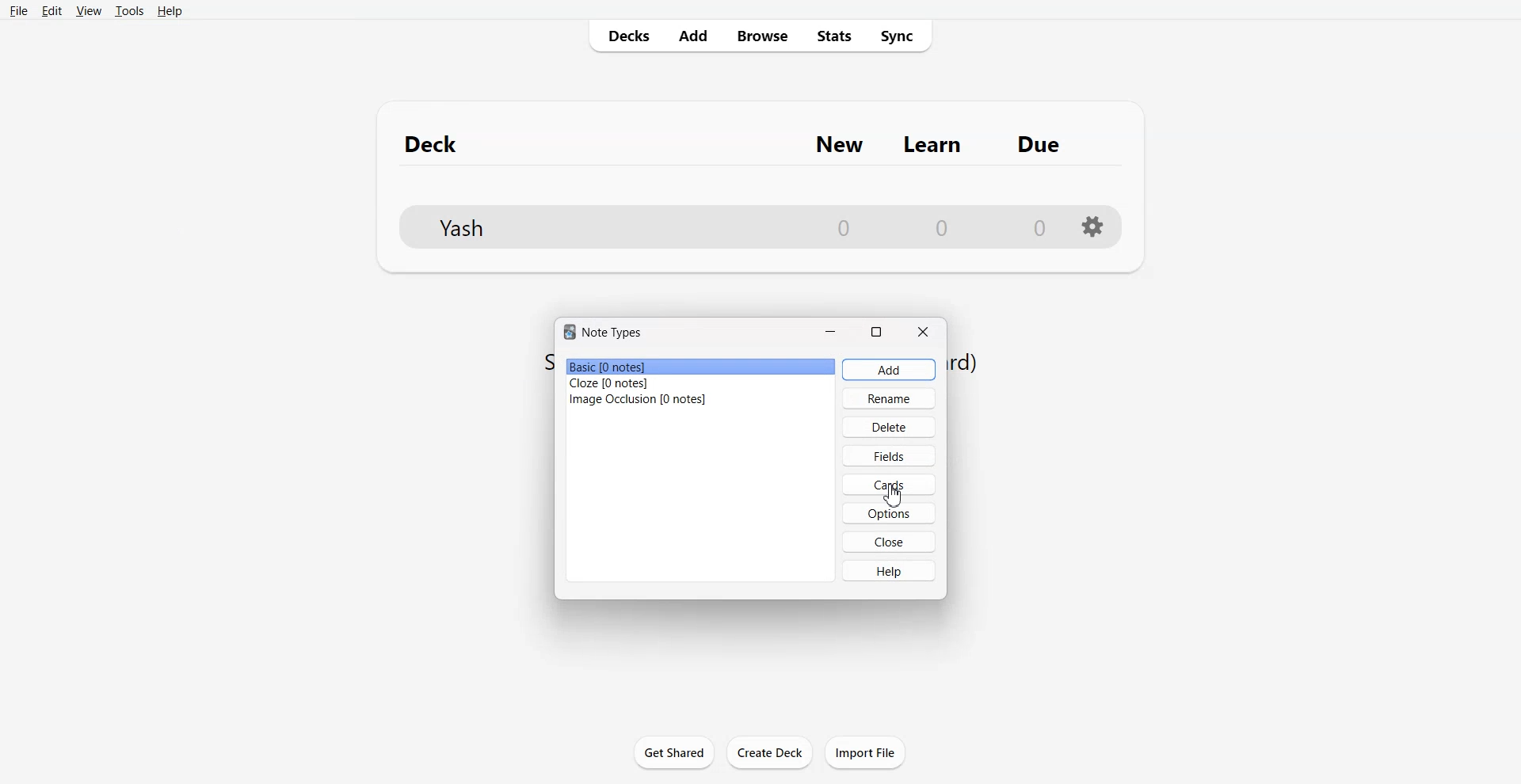  Describe the element at coordinates (603, 333) in the screenshot. I see `Text` at that location.